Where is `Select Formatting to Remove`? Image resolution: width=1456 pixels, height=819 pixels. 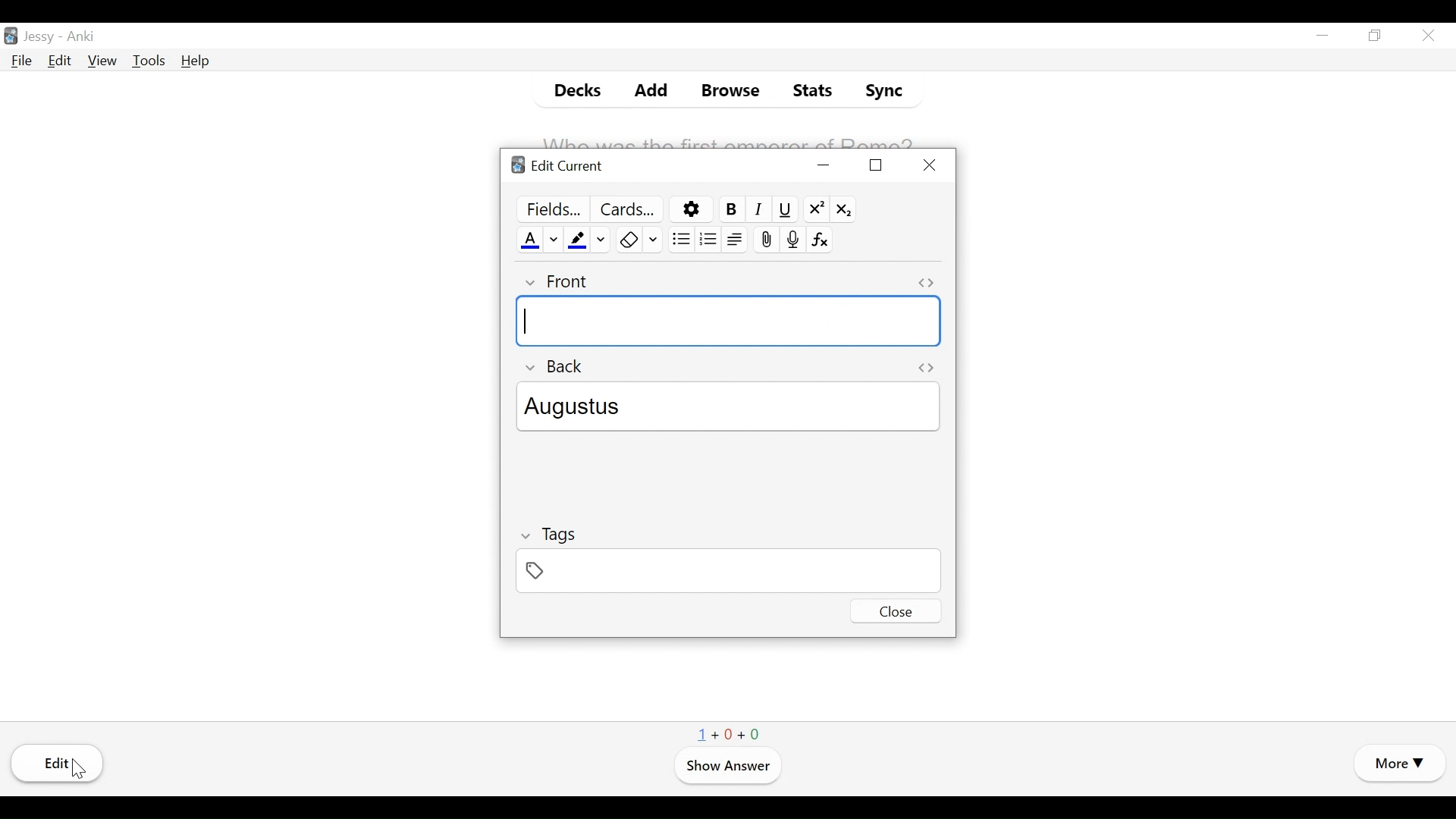 Select Formatting to Remove is located at coordinates (653, 240).